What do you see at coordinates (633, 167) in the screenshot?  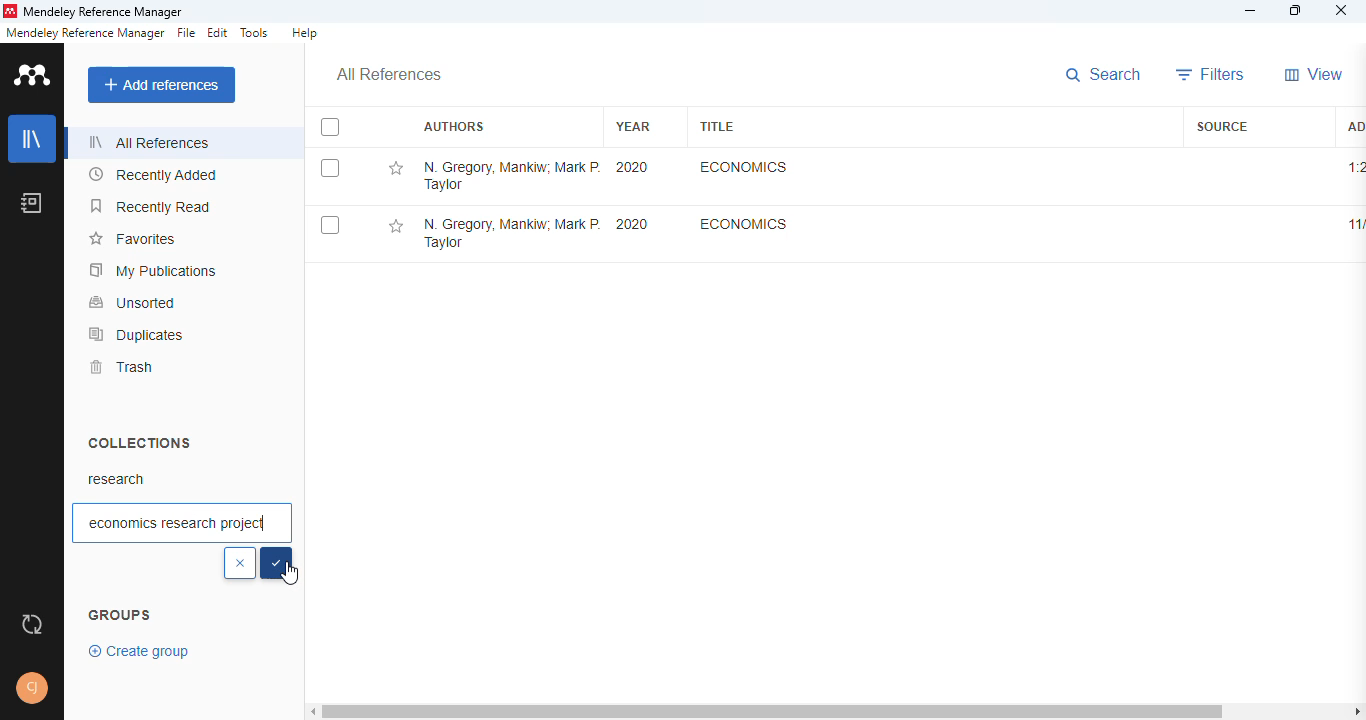 I see `2020` at bounding box center [633, 167].